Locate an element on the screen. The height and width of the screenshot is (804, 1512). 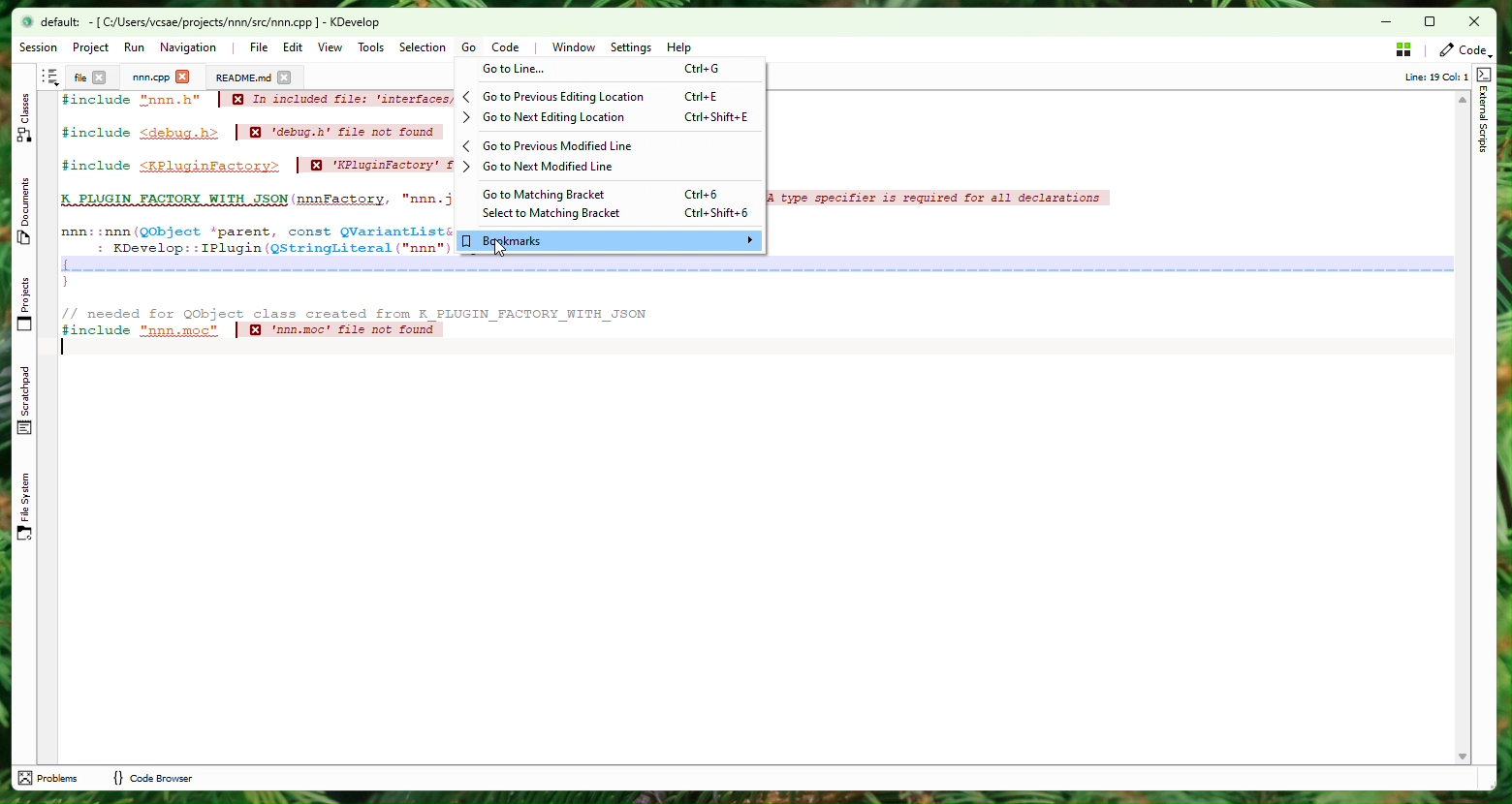
Go to line is located at coordinates (609, 69).